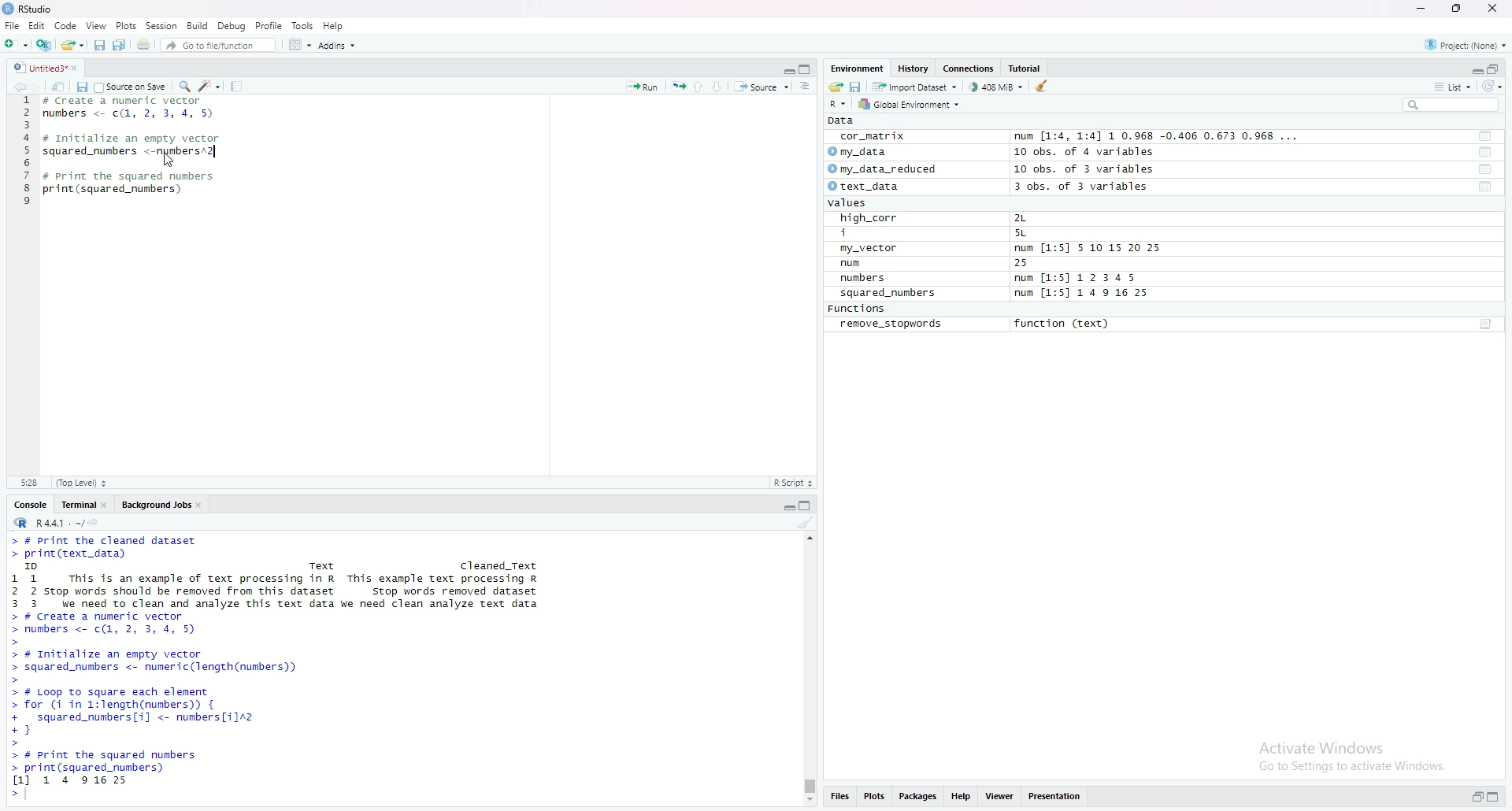 This screenshot has height=811, width=1512. Describe the element at coordinates (874, 798) in the screenshot. I see `Plots` at that location.